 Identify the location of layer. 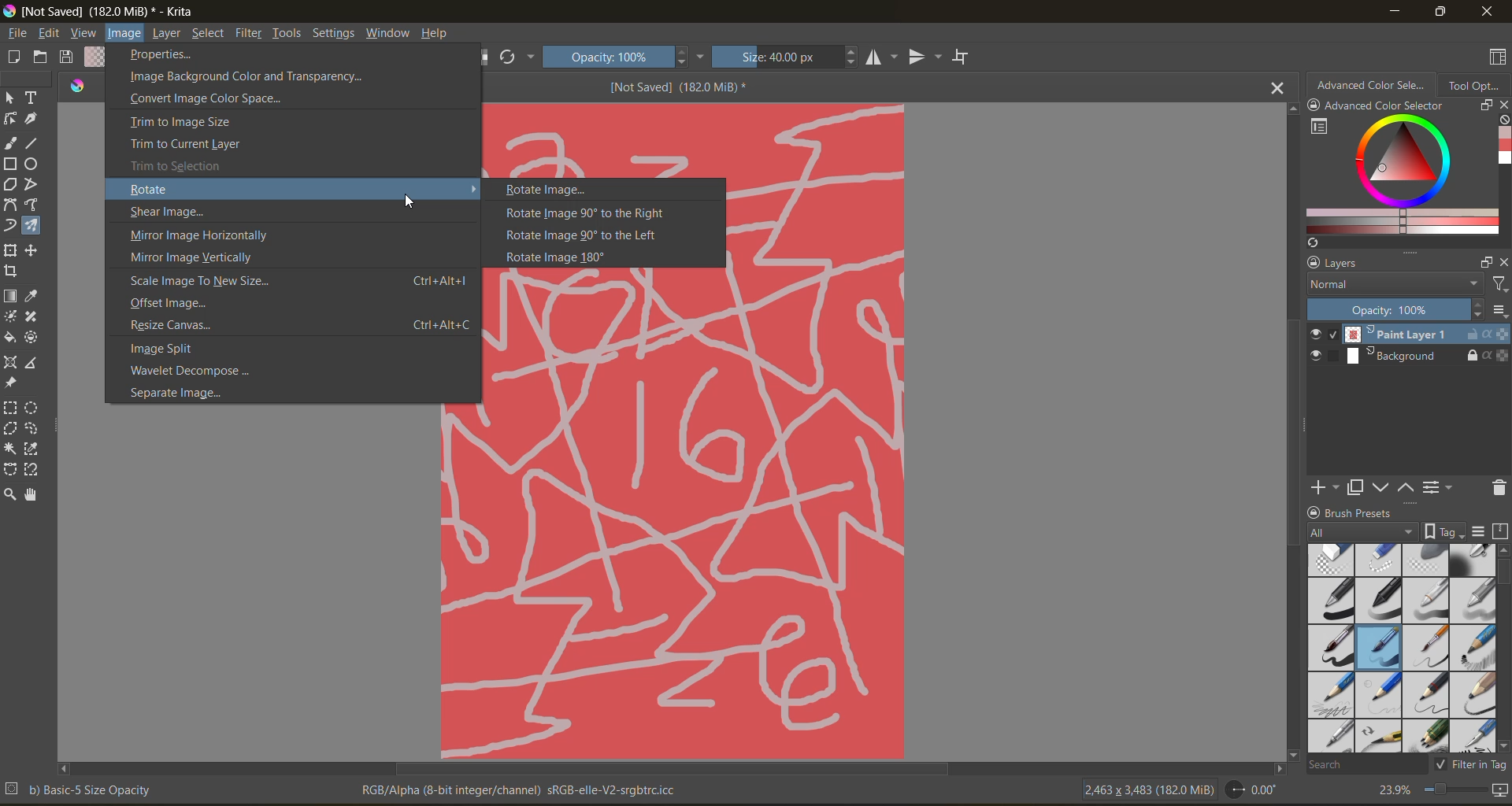
(168, 35).